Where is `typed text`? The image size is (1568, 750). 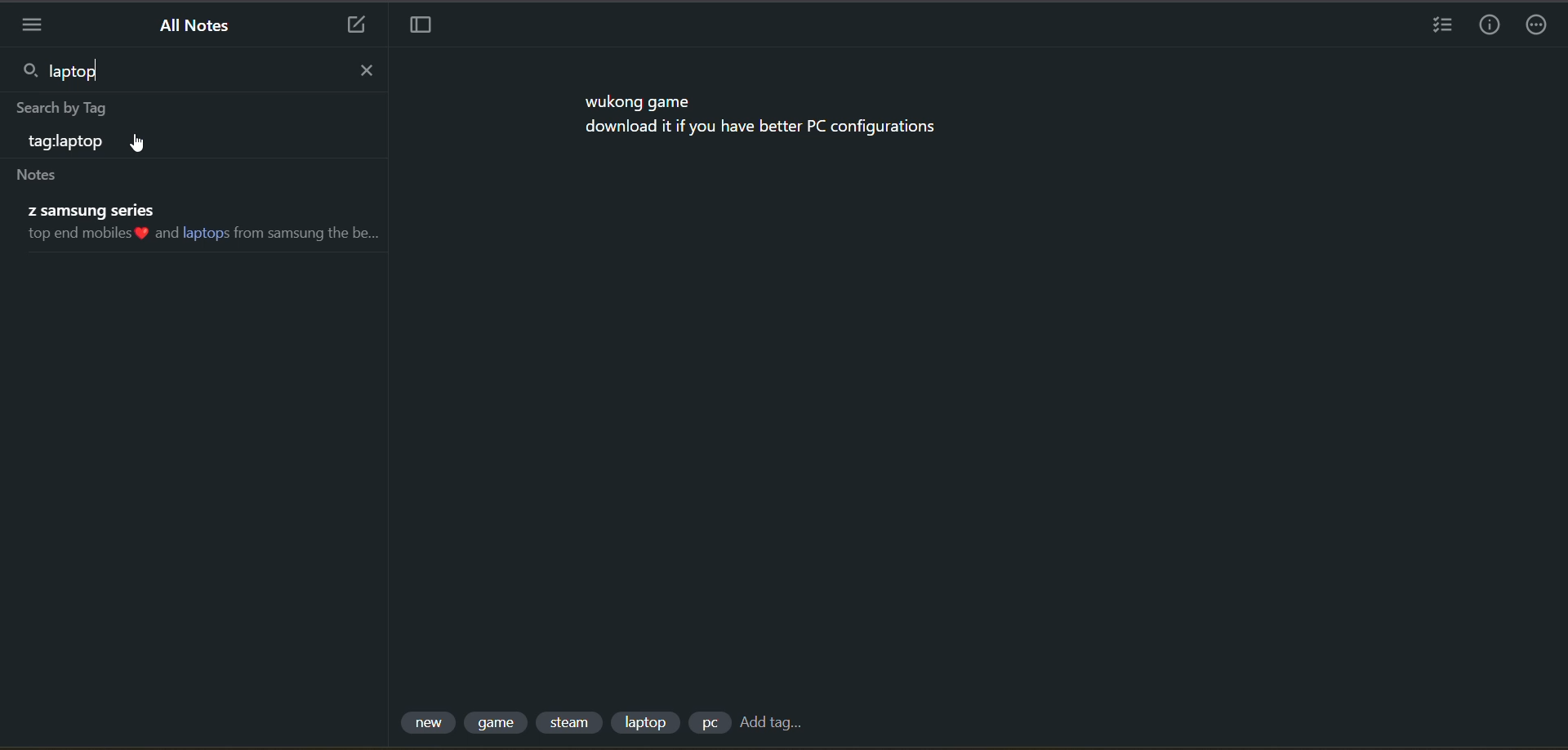
typed text is located at coordinates (84, 71).